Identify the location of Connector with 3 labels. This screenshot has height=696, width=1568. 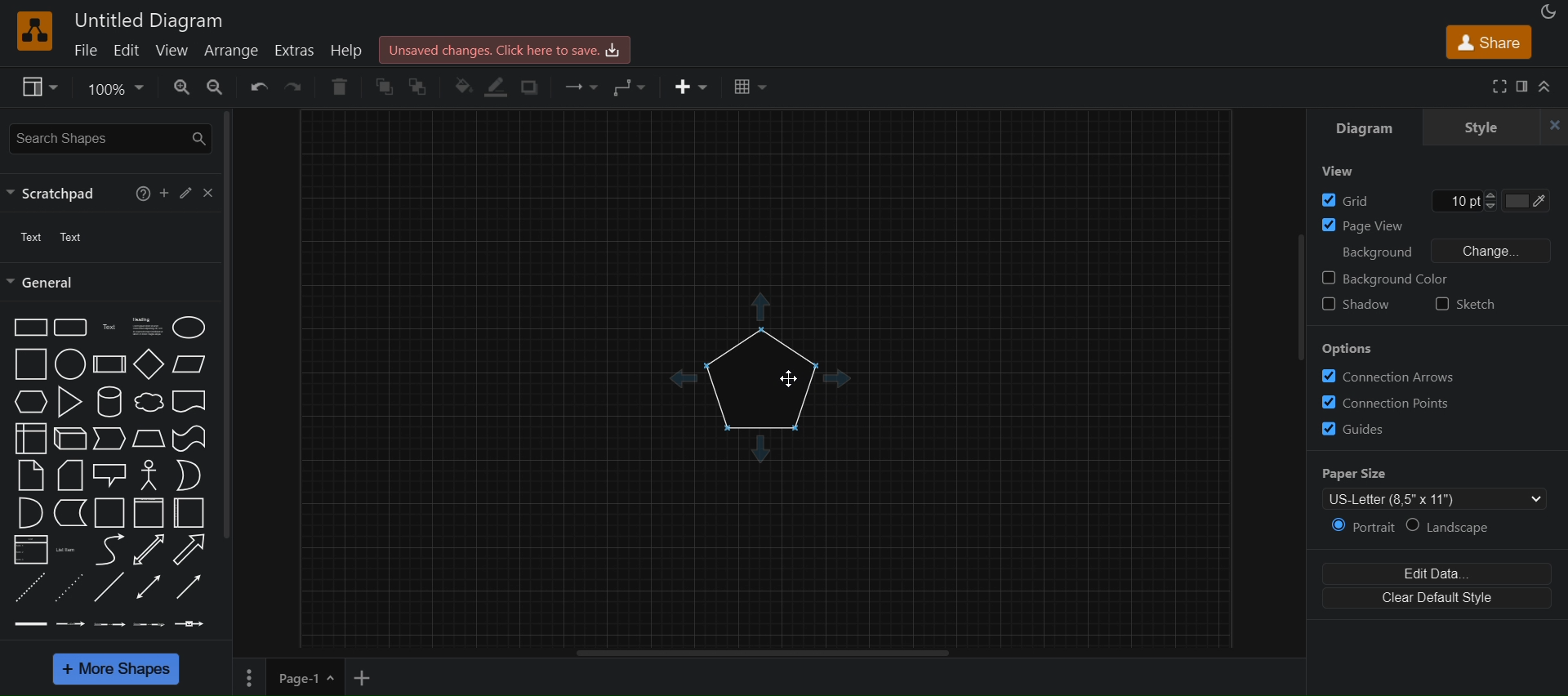
(149, 625).